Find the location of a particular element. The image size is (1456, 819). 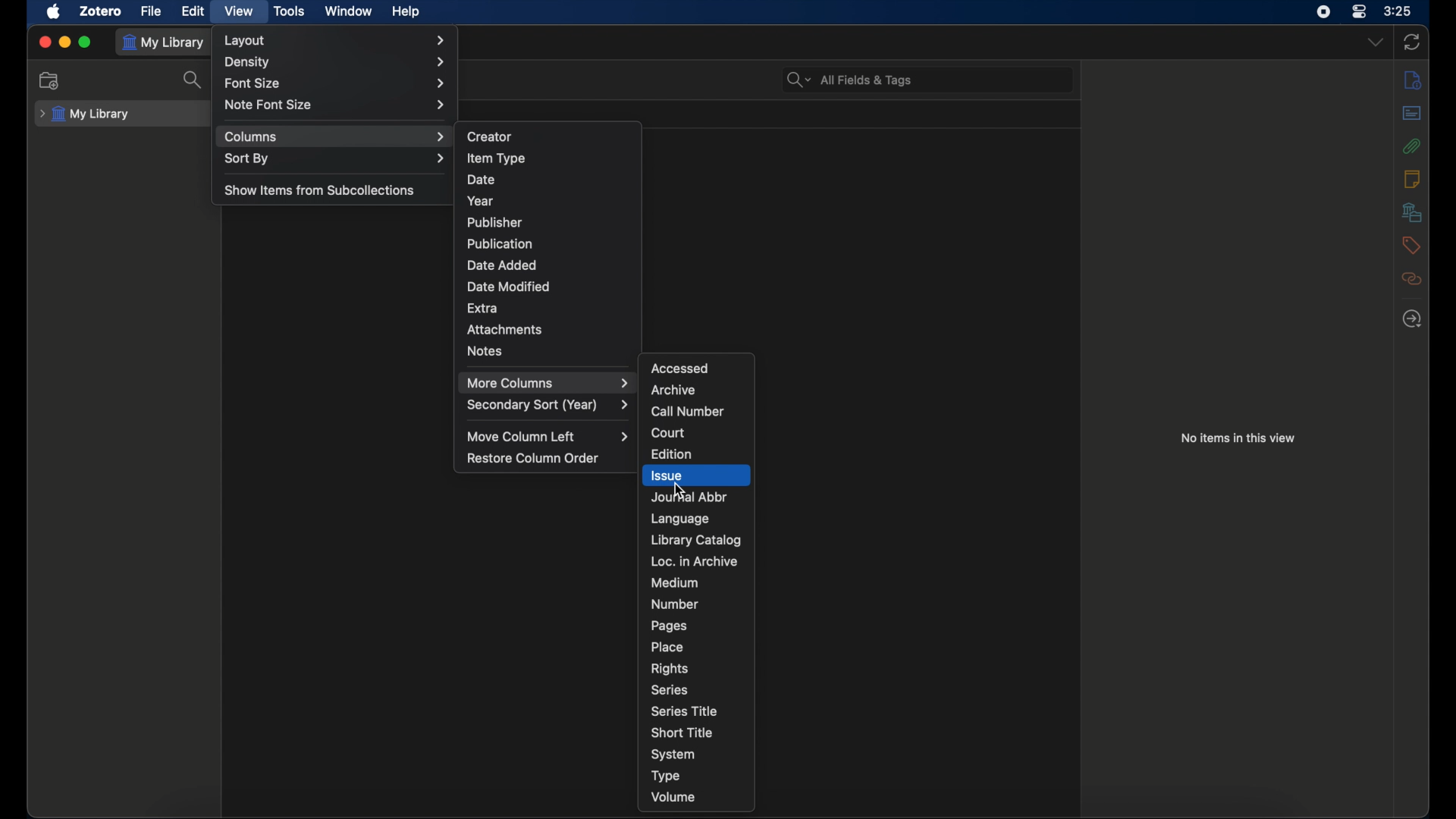

date added is located at coordinates (502, 265).